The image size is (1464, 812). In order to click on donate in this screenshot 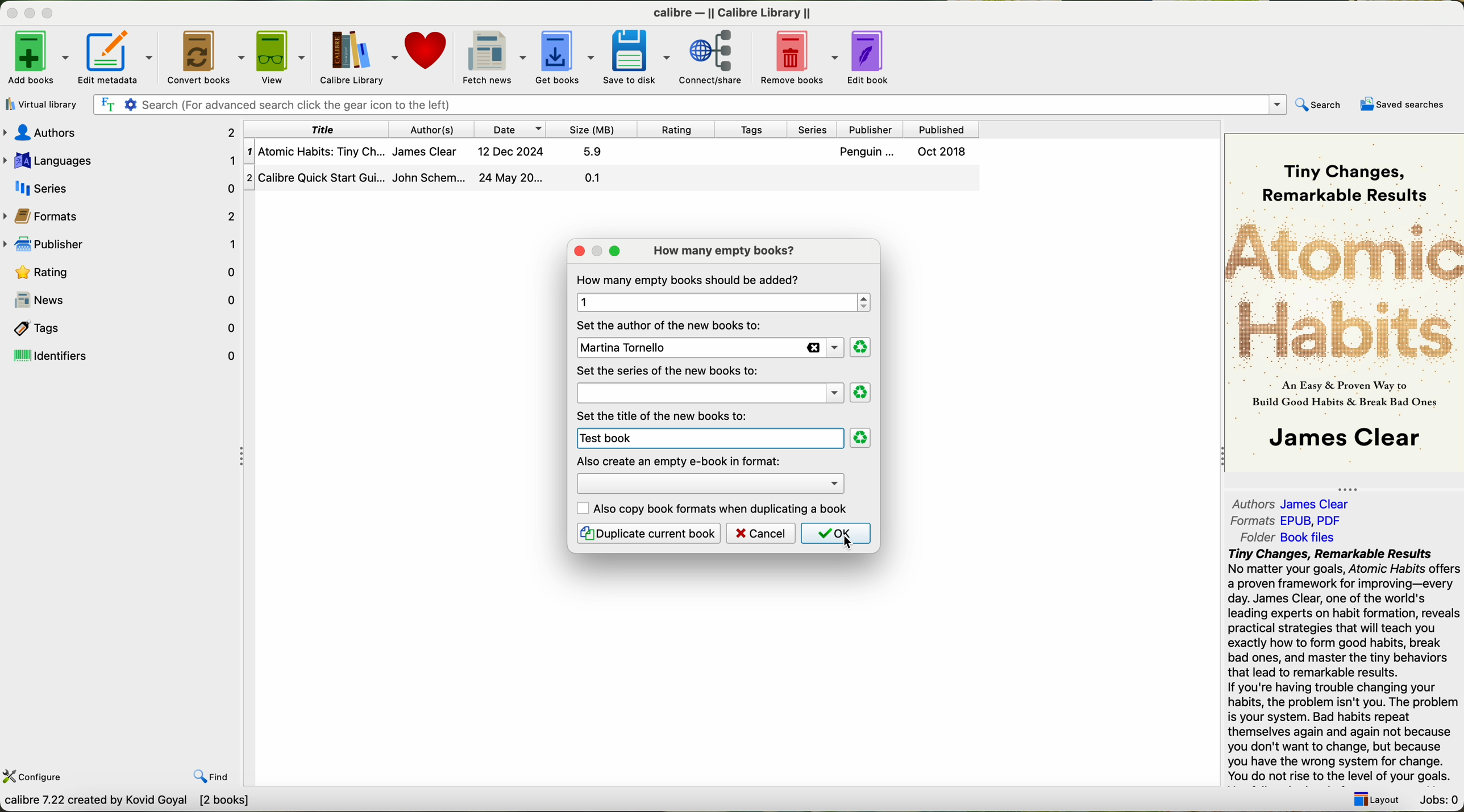, I will do `click(427, 52)`.